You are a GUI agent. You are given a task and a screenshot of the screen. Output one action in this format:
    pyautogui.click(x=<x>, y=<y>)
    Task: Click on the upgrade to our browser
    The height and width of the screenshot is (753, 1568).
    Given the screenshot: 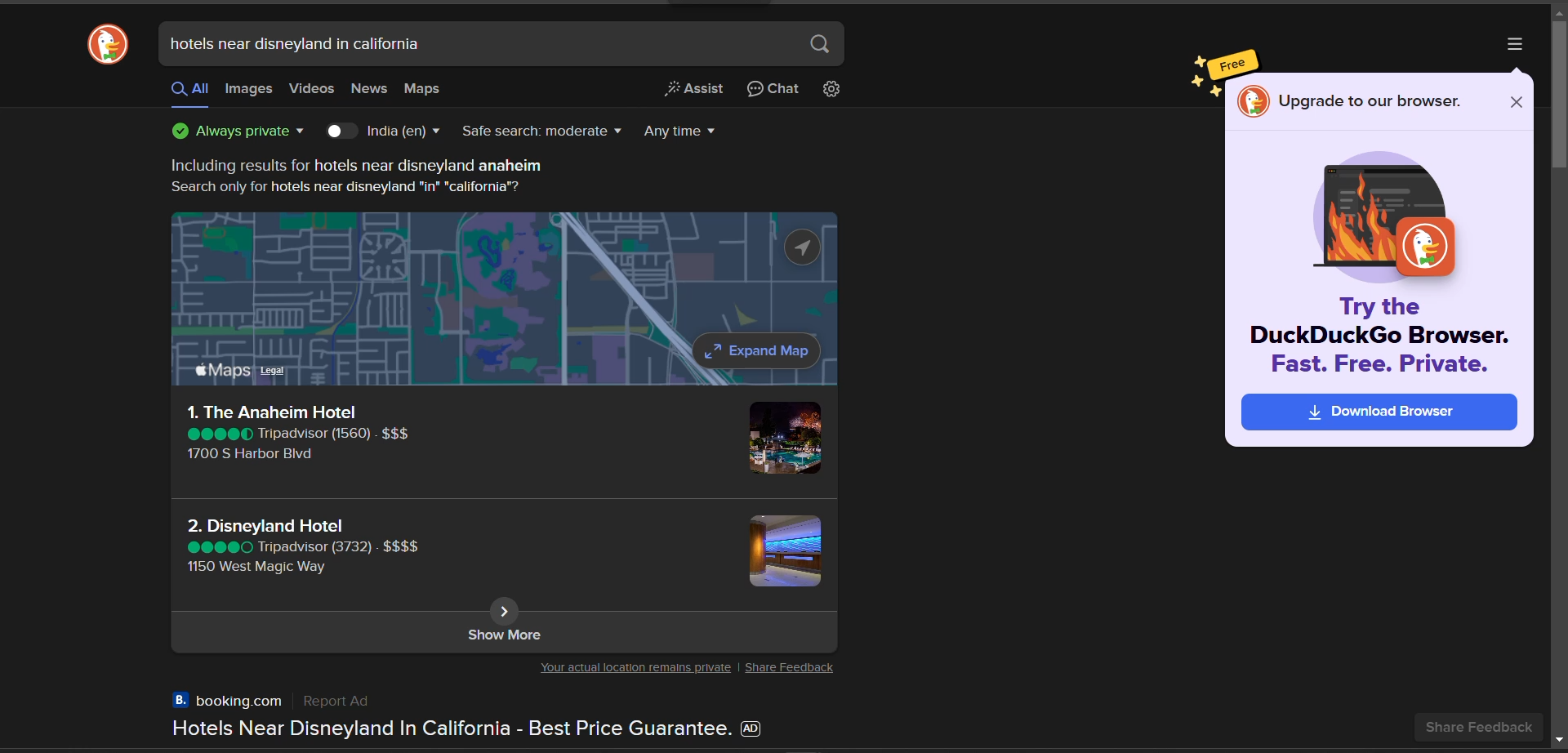 What is the action you would take?
    pyautogui.click(x=1370, y=101)
    